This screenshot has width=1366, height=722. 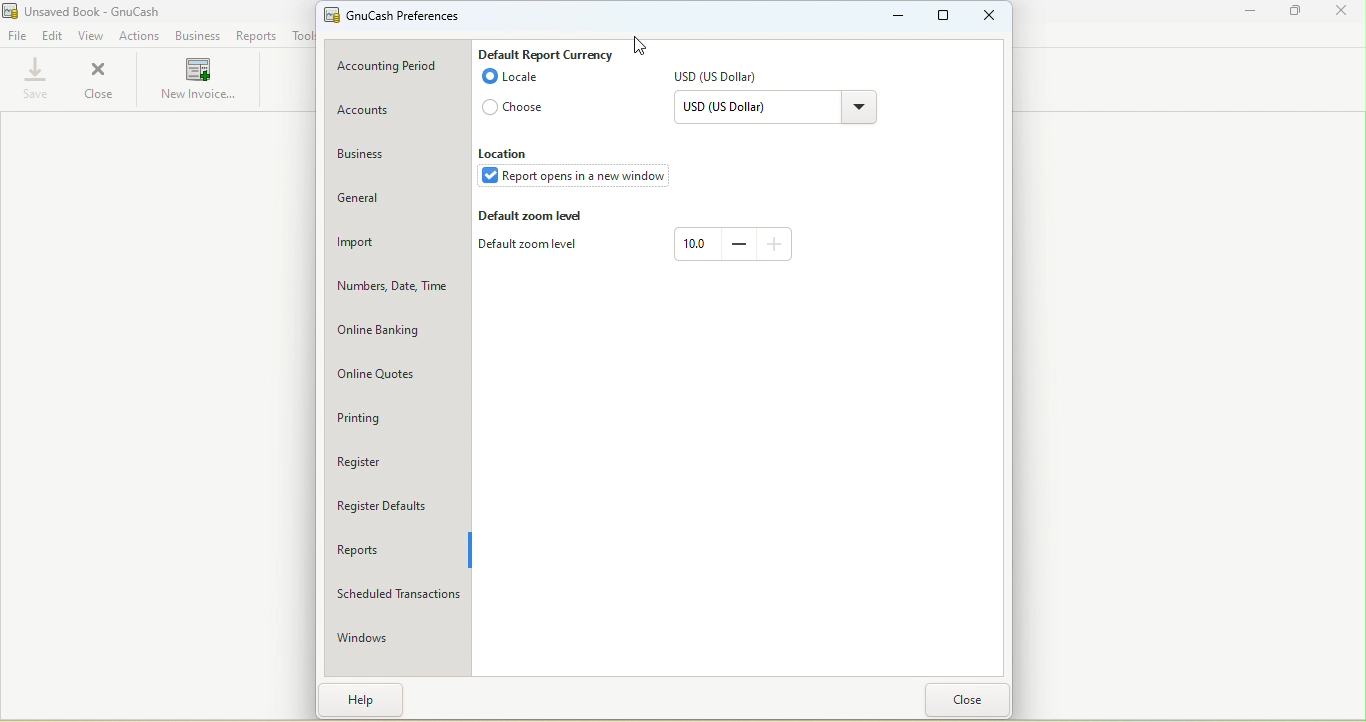 What do you see at coordinates (397, 244) in the screenshot?
I see `Import` at bounding box center [397, 244].